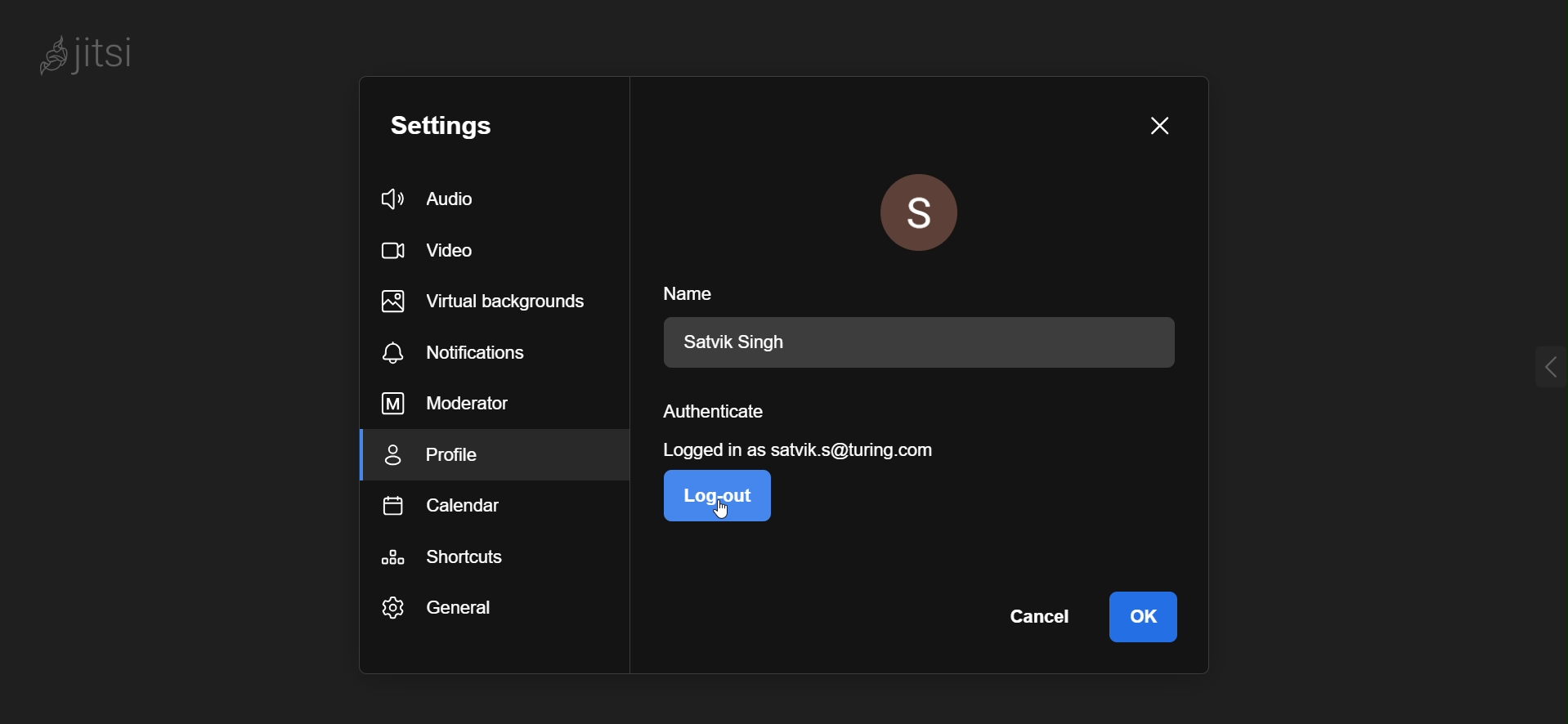 This screenshot has width=1568, height=724. I want to click on cancel, so click(1040, 619).